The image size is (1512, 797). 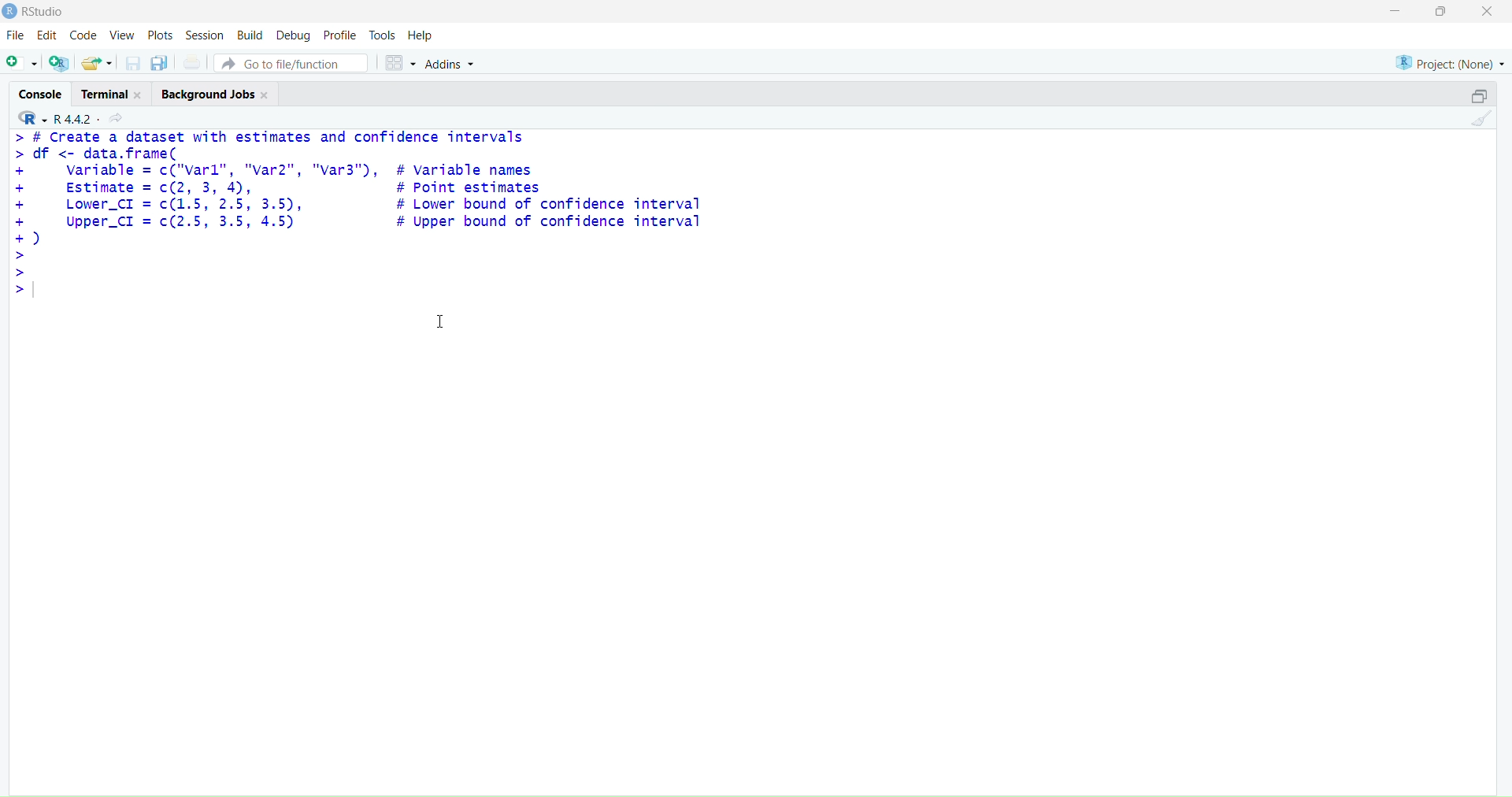 I want to click on Background Jobs, so click(x=216, y=93).